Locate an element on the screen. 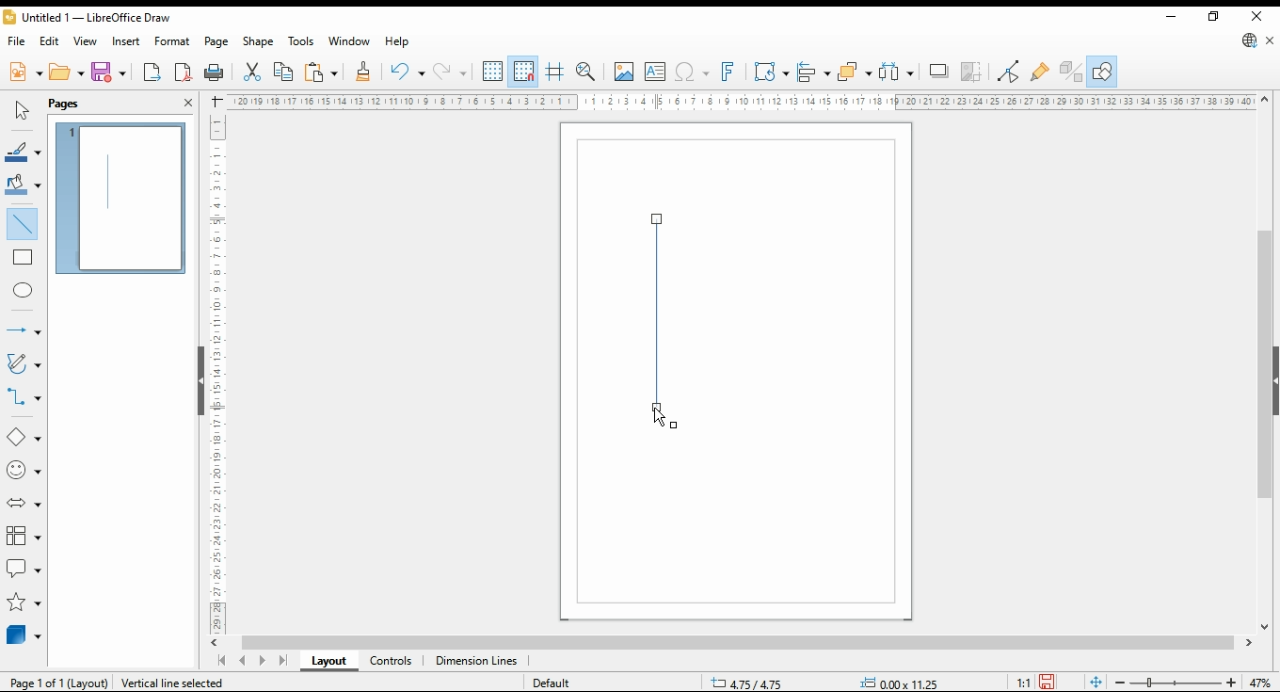 This screenshot has width=1280, height=692. dimension is located at coordinates (477, 662).